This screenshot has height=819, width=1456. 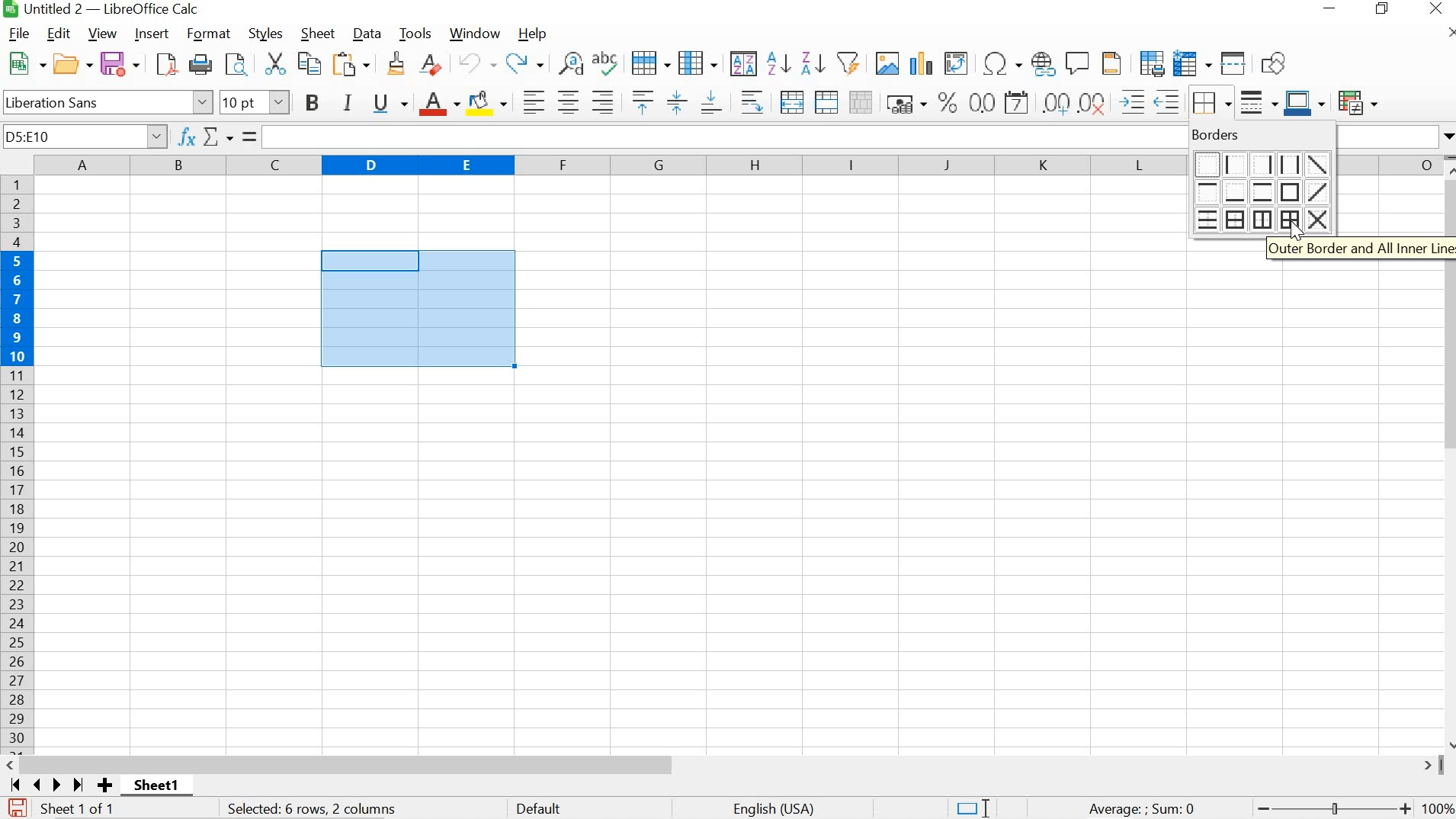 What do you see at coordinates (168, 63) in the screenshot?
I see `SAVE AS PDF` at bounding box center [168, 63].